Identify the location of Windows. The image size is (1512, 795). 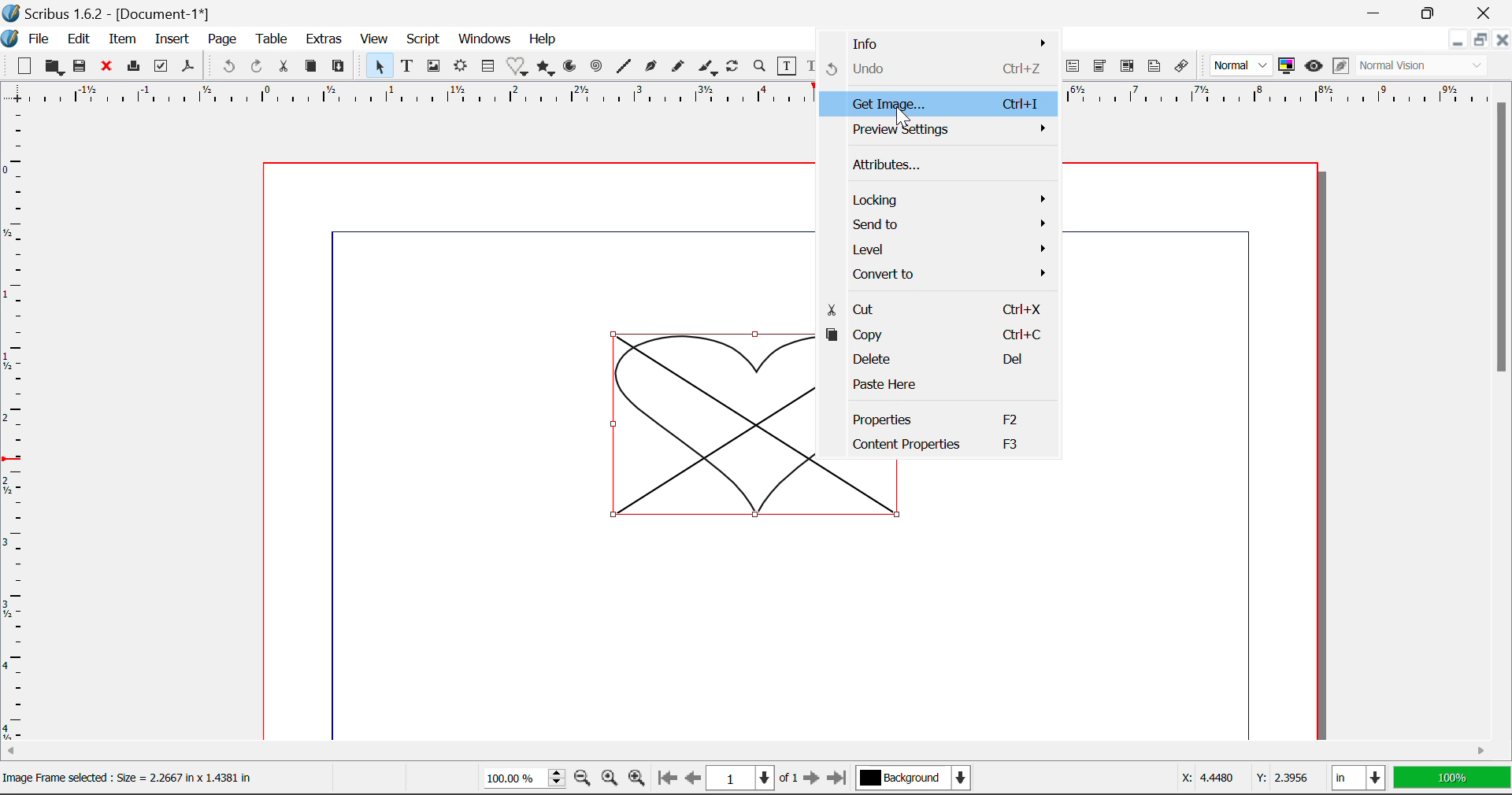
(485, 39).